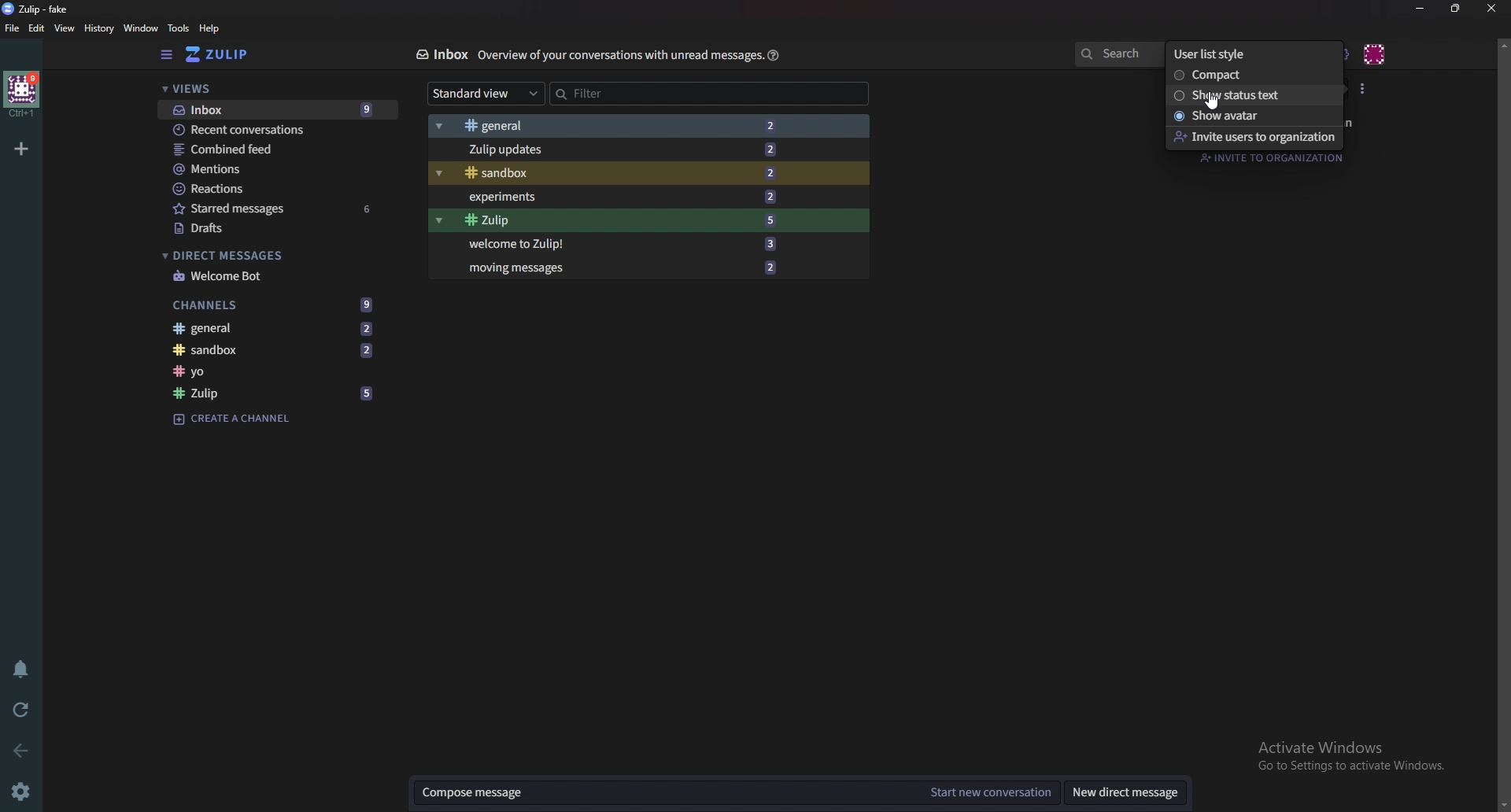  What do you see at coordinates (39, 28) in the screenshot?
I see `Edit` at bounding box center [39, 28].